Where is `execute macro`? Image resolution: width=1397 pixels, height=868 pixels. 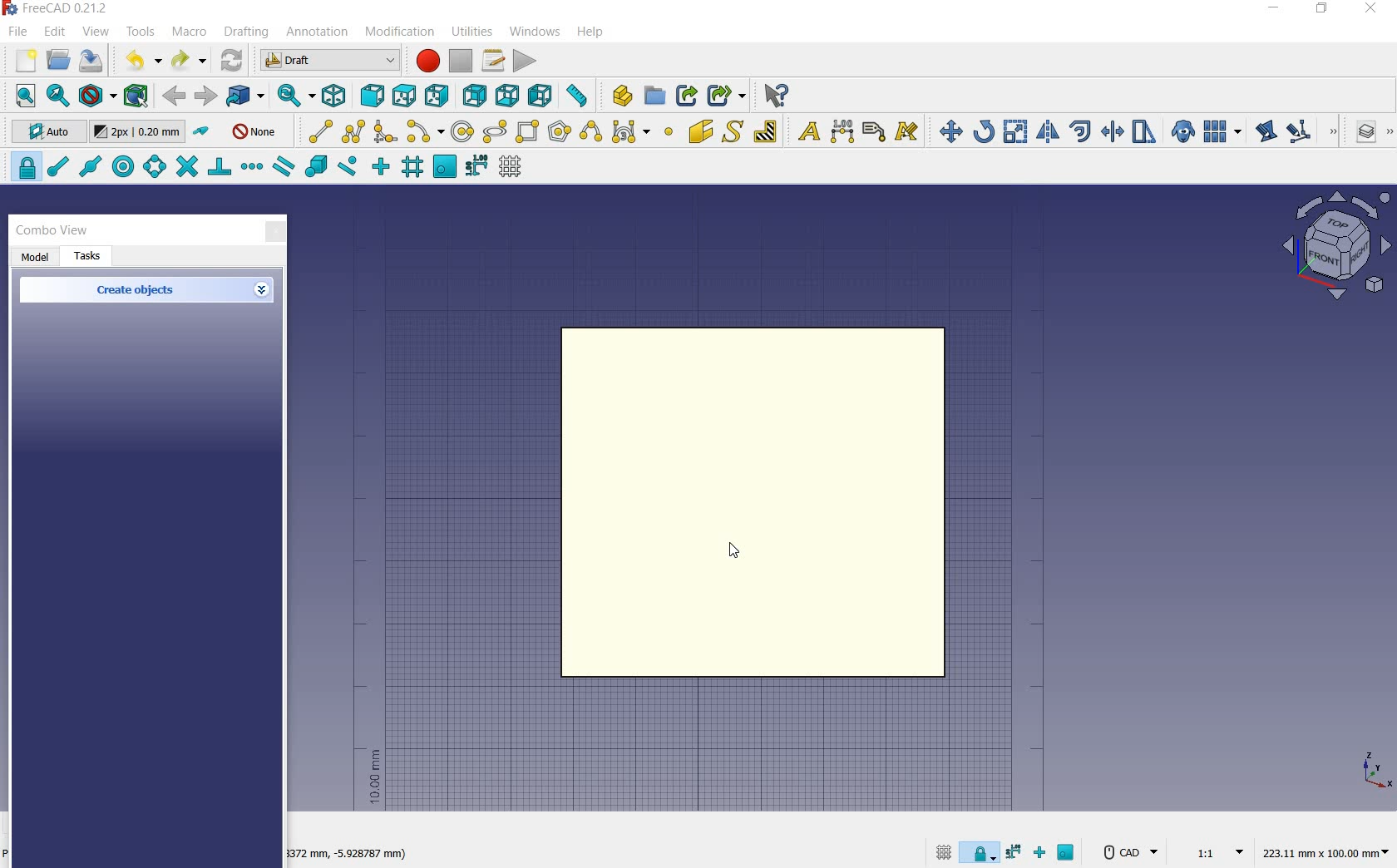 execute macro is located at coordinates (526, 61).